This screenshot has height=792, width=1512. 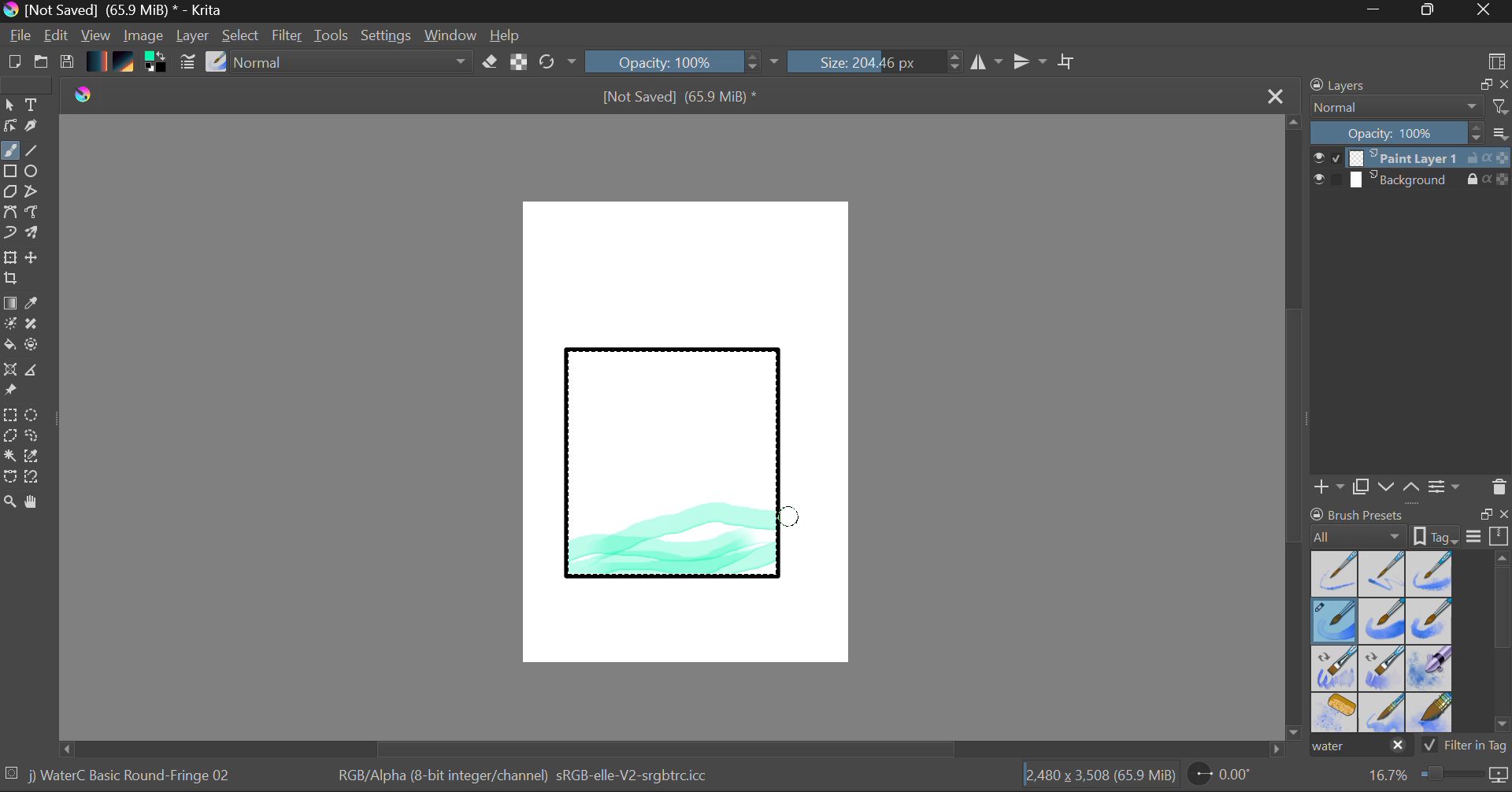 I want to click on Brush Selected, so click(x=132, y=777).